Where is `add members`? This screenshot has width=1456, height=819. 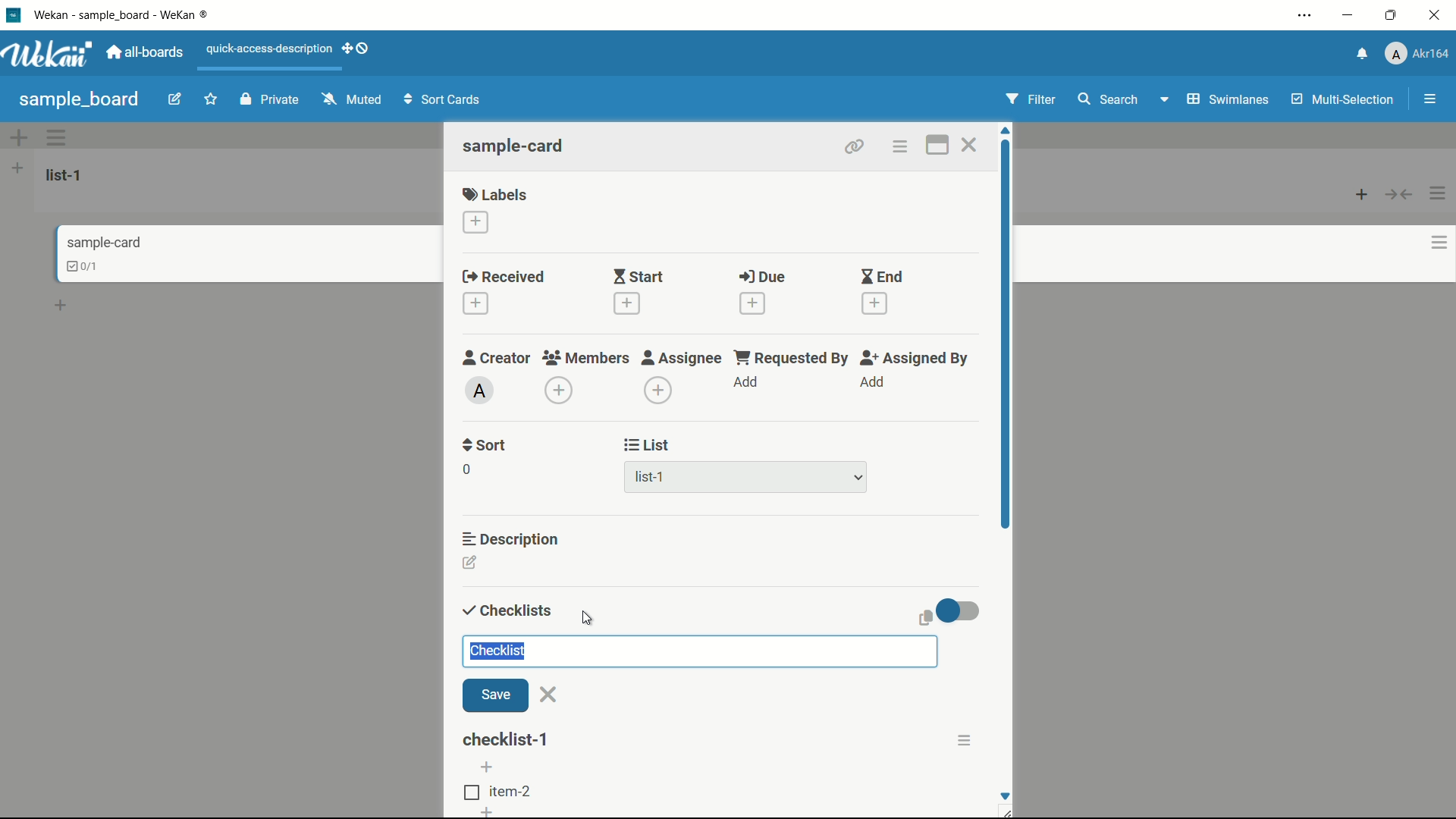 add members is located at coordinates (561, 392).